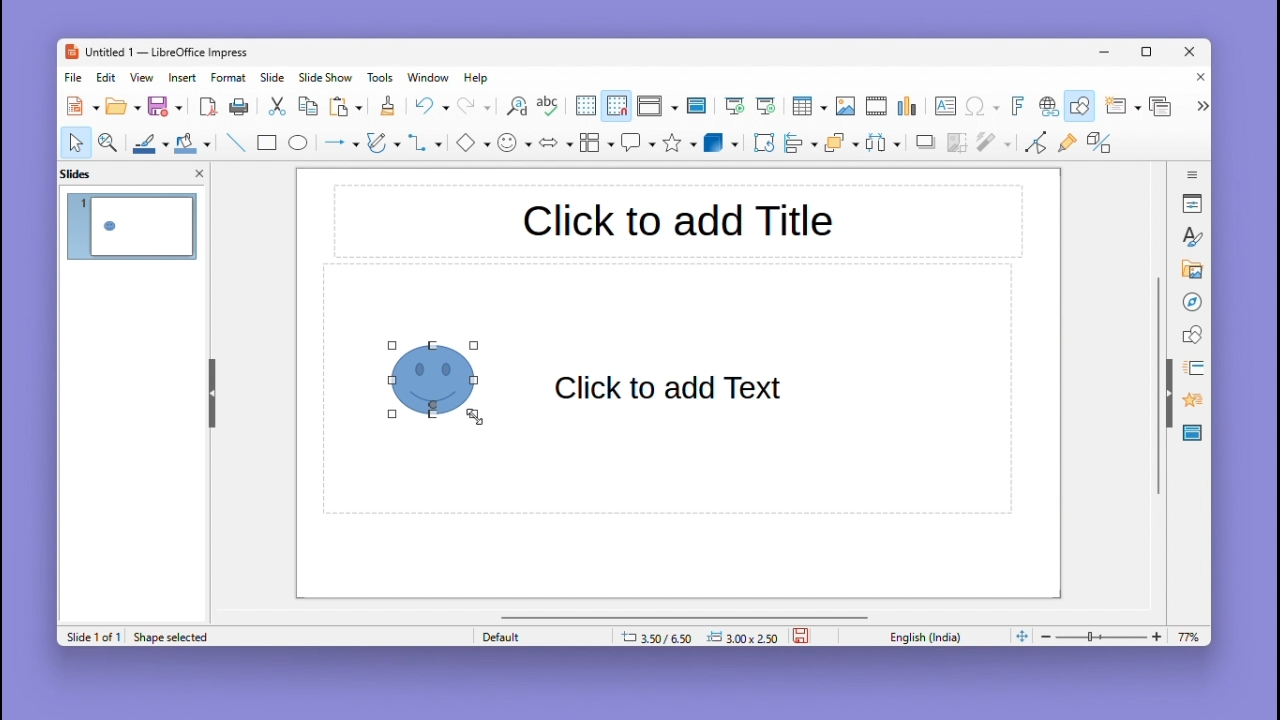 The width and height of the screenshot is (1280, 720). What do you see at coordinates (638, 142) in the screenshot?
I see `Comment box` at bounding box center [638, 142].